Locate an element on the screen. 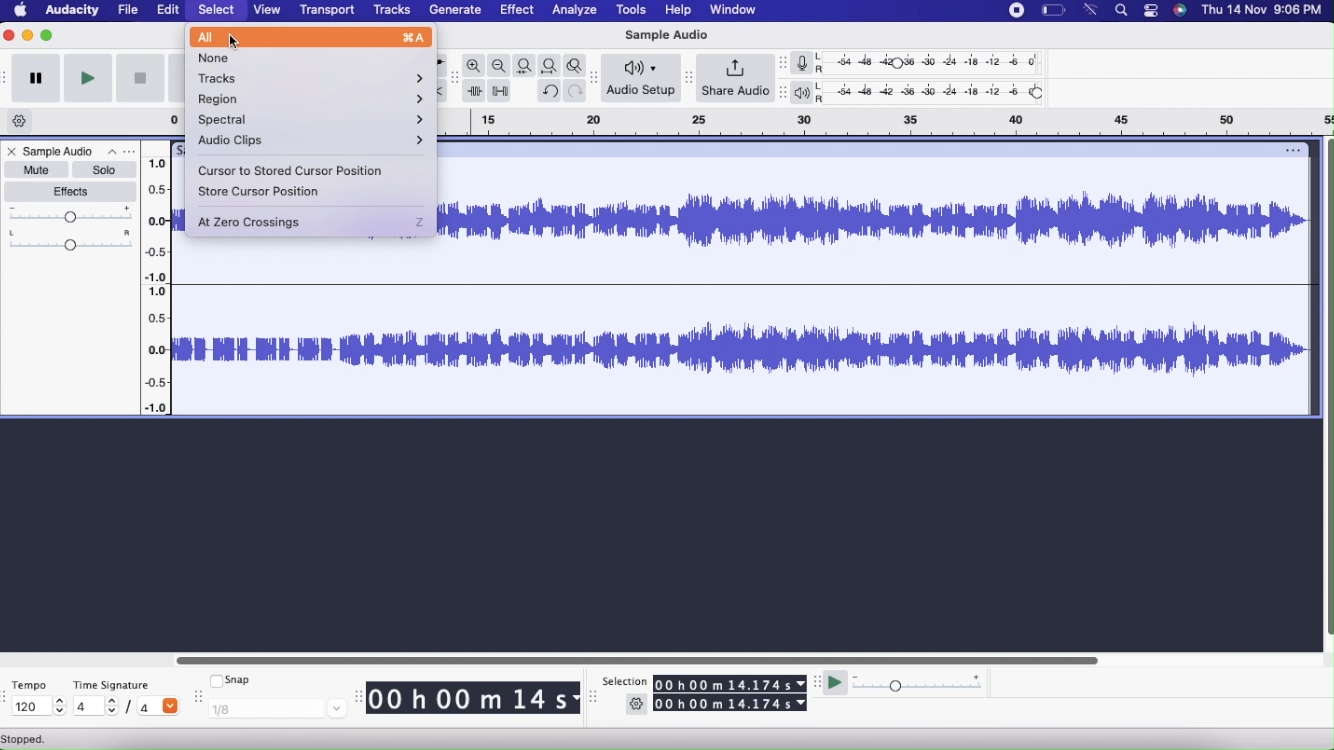 The height and width of the screenshot is (750, 1334). Audio Clips is located at coordinates (312, 141).